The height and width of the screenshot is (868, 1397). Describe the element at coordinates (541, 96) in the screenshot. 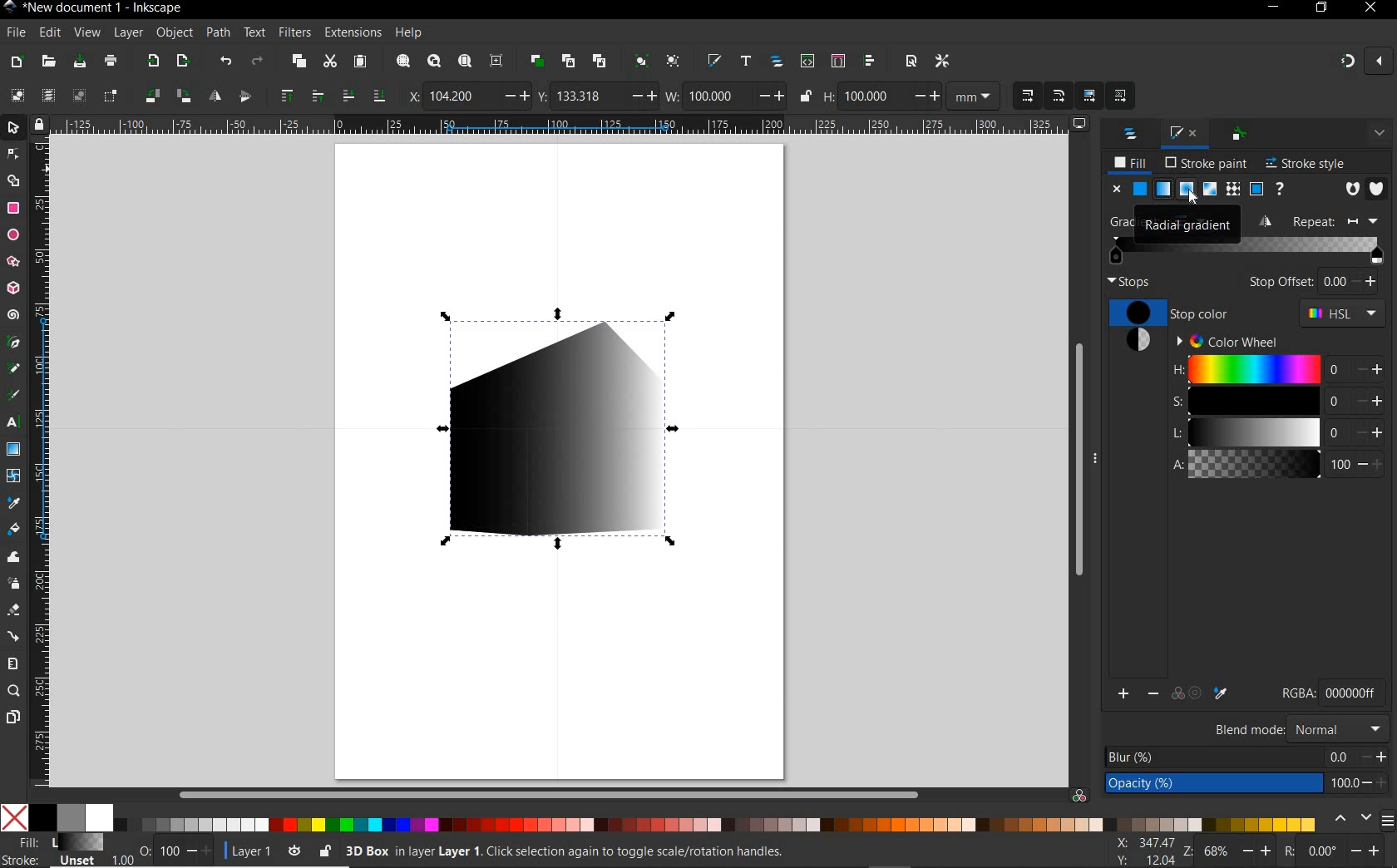

I see `VERTICAL COORDINATE OF SELECTION` at that location.